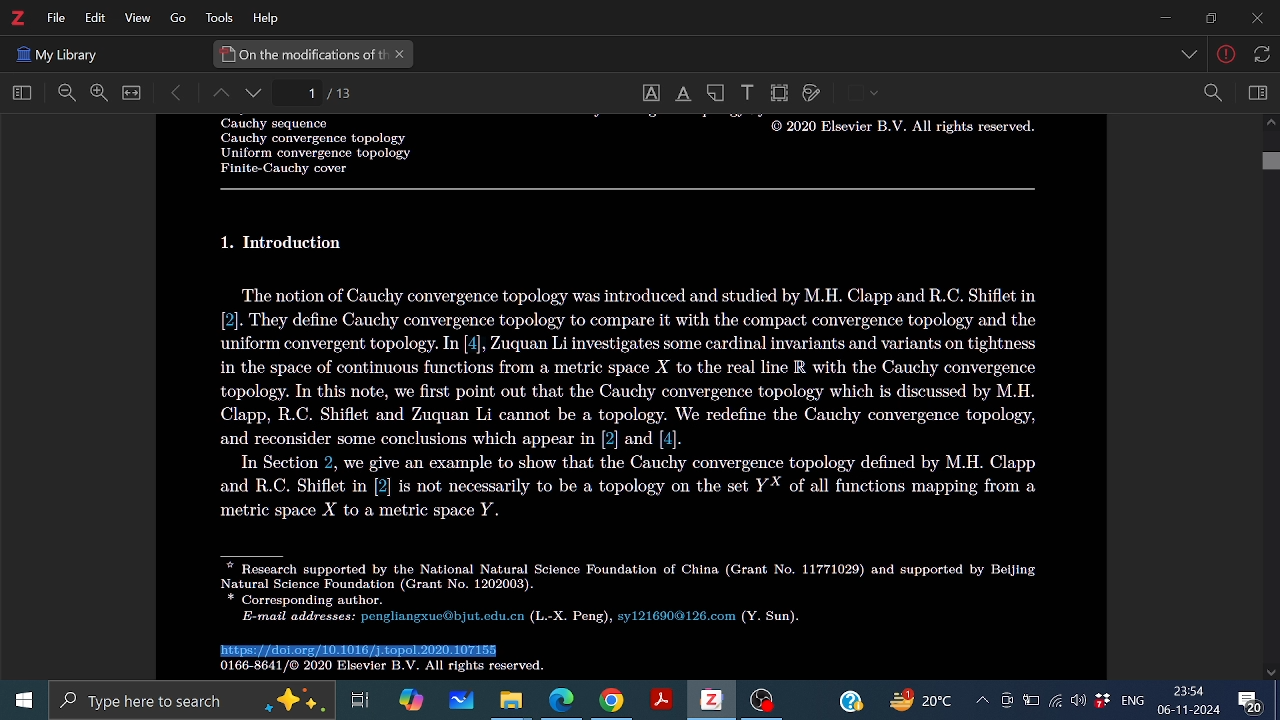  I want to click on Zoom out, so click(67, 94).